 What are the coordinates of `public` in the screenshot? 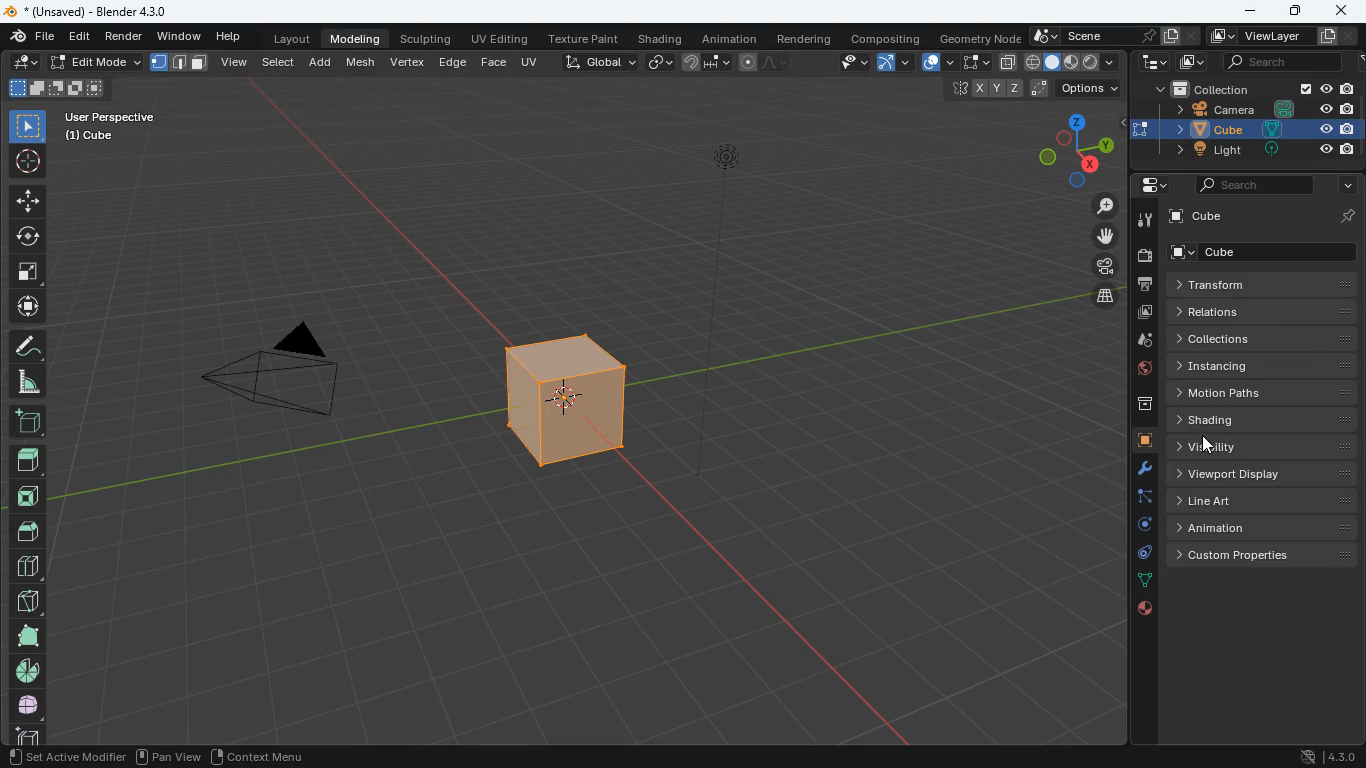 It's located at (1143, 608).